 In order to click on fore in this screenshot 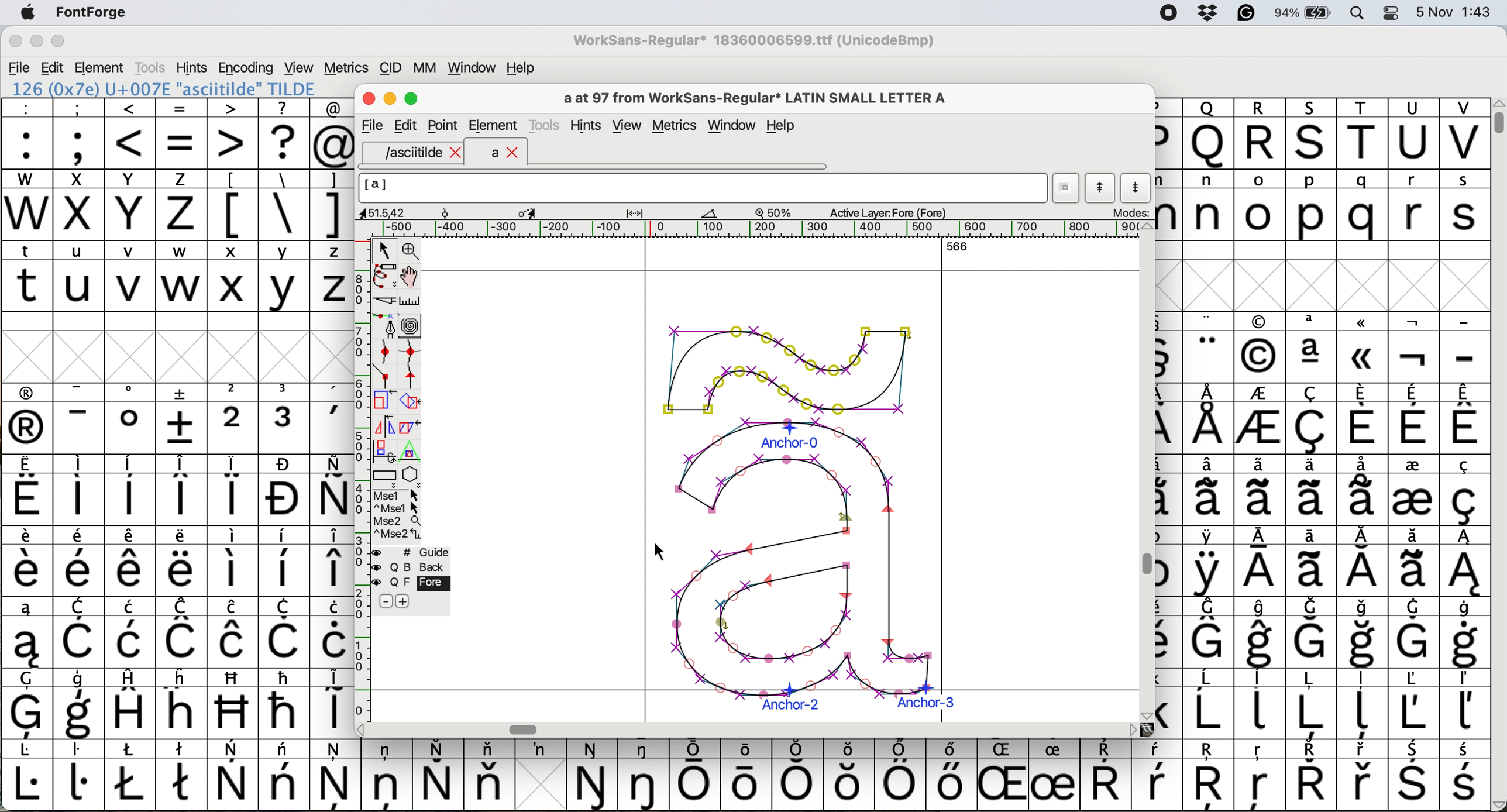, I will do `click(412, 583)`.